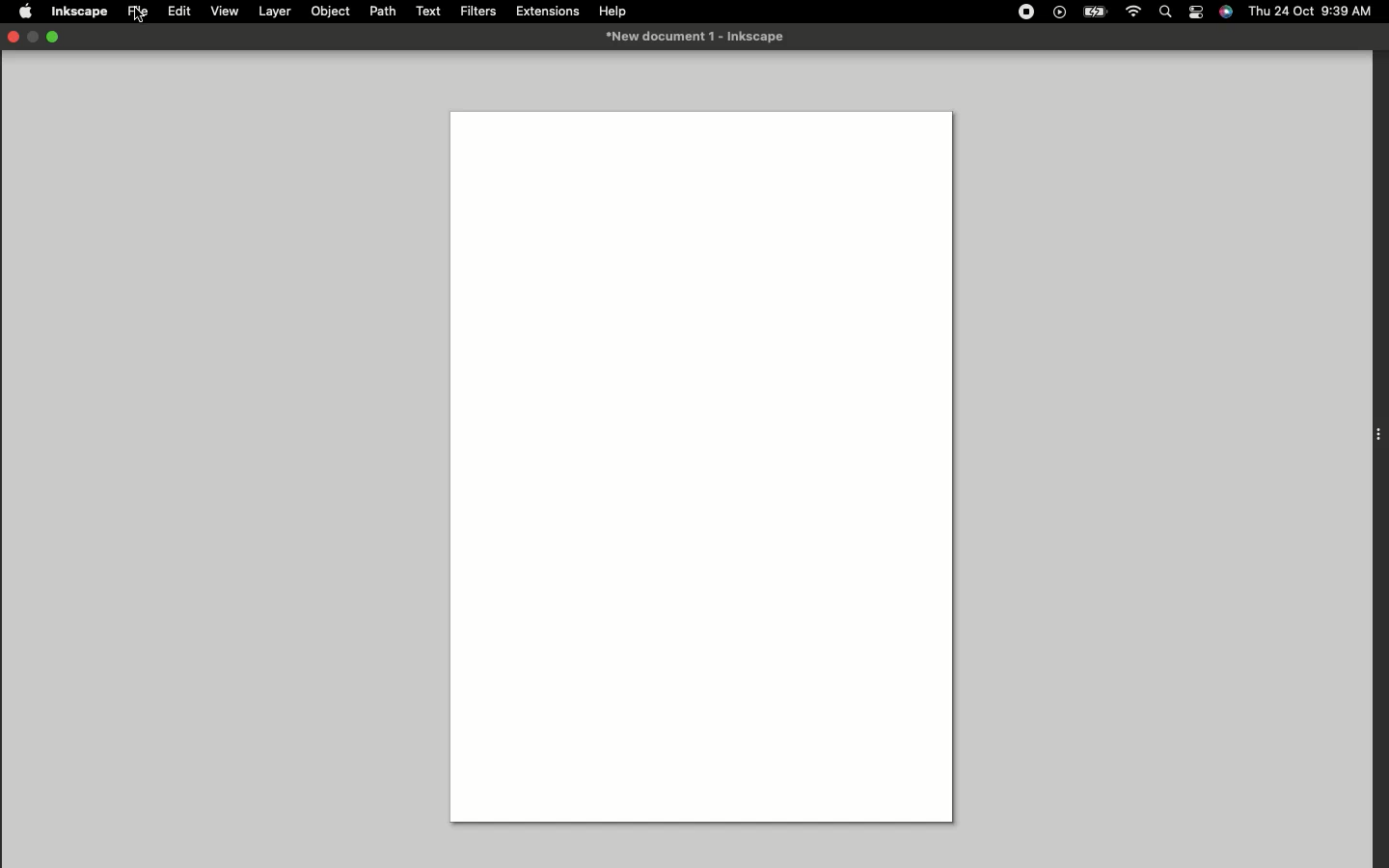 The height and width of the screenshot is (868, 1389). Describe the element at coordinates (1316, 13) in the screenshot. I see `Thu 24 oct 9:39 AM` at that location.